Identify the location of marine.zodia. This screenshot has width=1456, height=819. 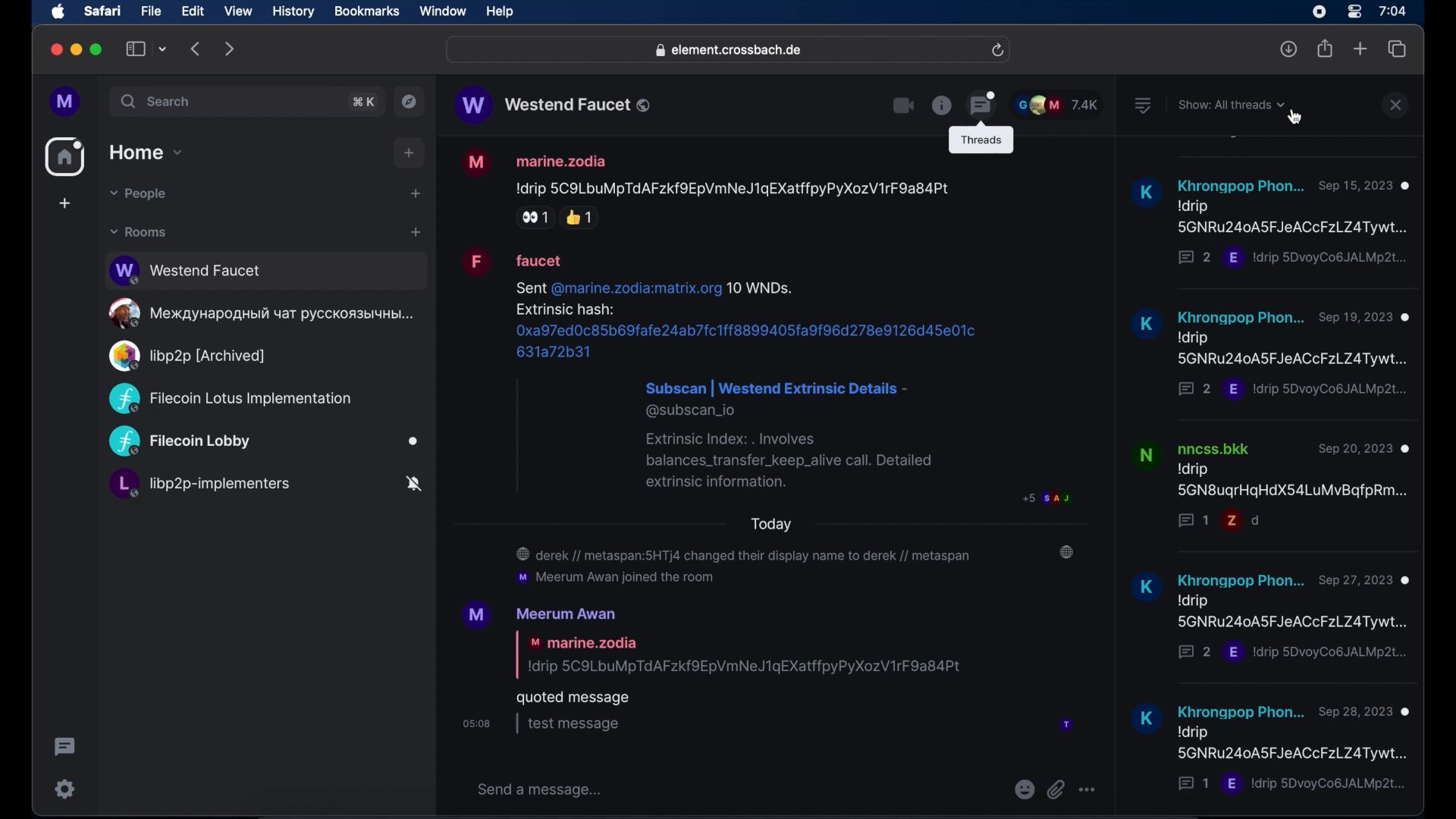
(562, 162).